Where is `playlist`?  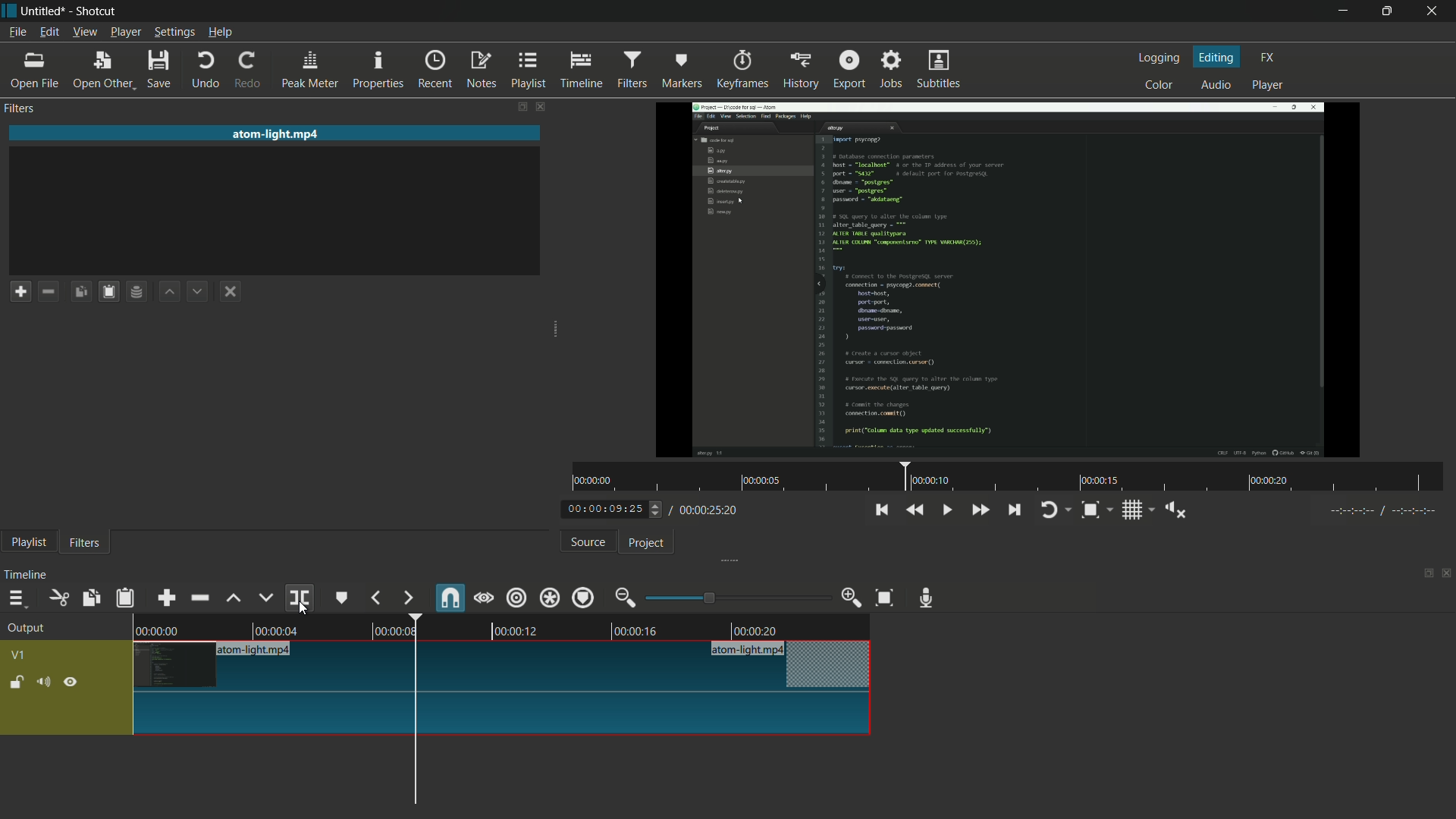 playlist is located at coordinates (529, 71).